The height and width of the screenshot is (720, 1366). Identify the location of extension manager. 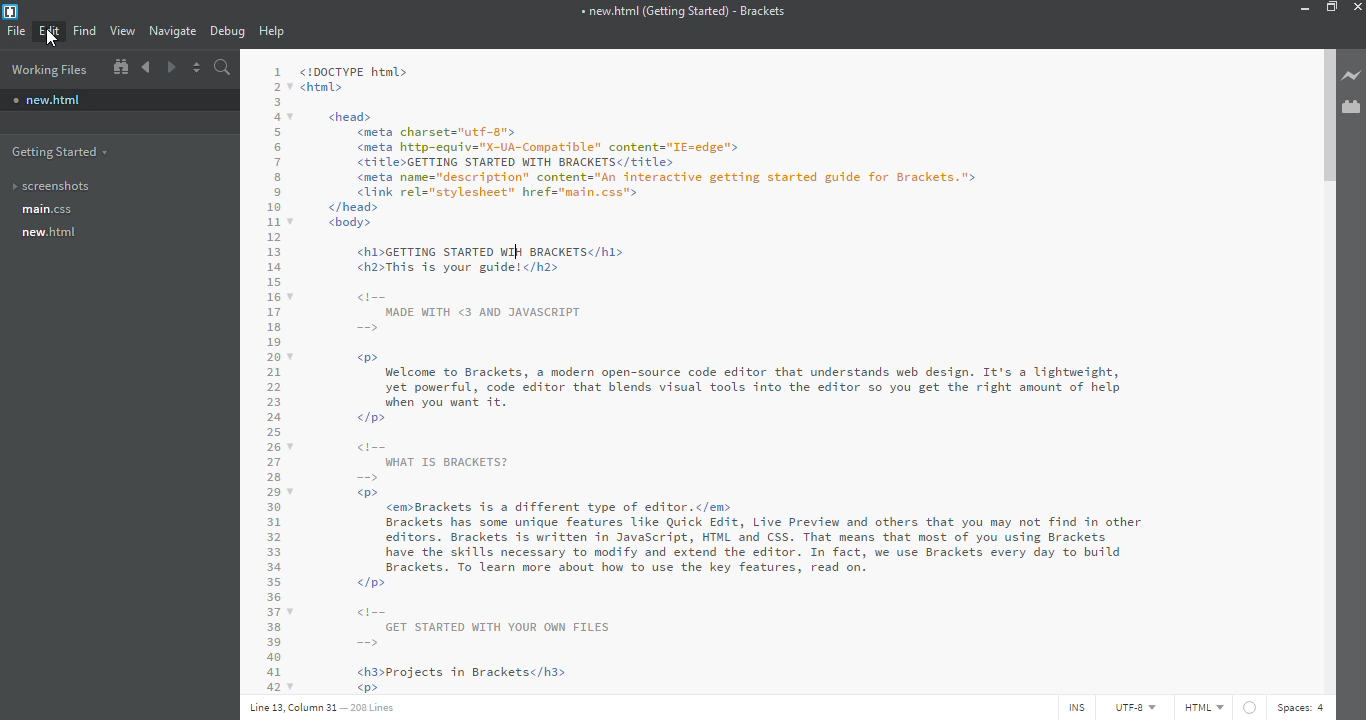
(1351, 106).